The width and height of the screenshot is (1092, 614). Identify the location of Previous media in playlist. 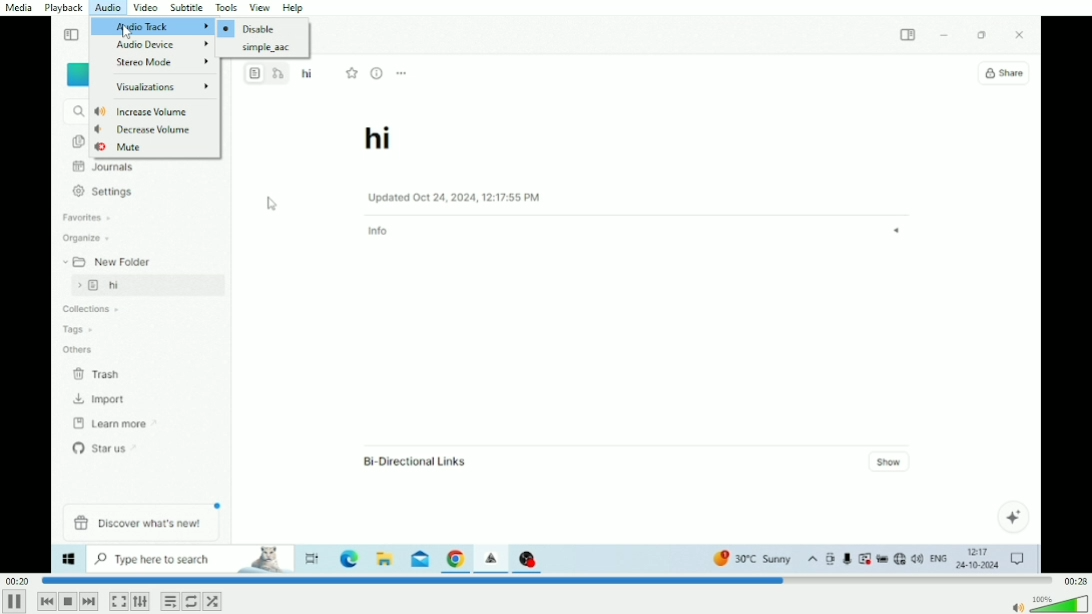
(46, 601).